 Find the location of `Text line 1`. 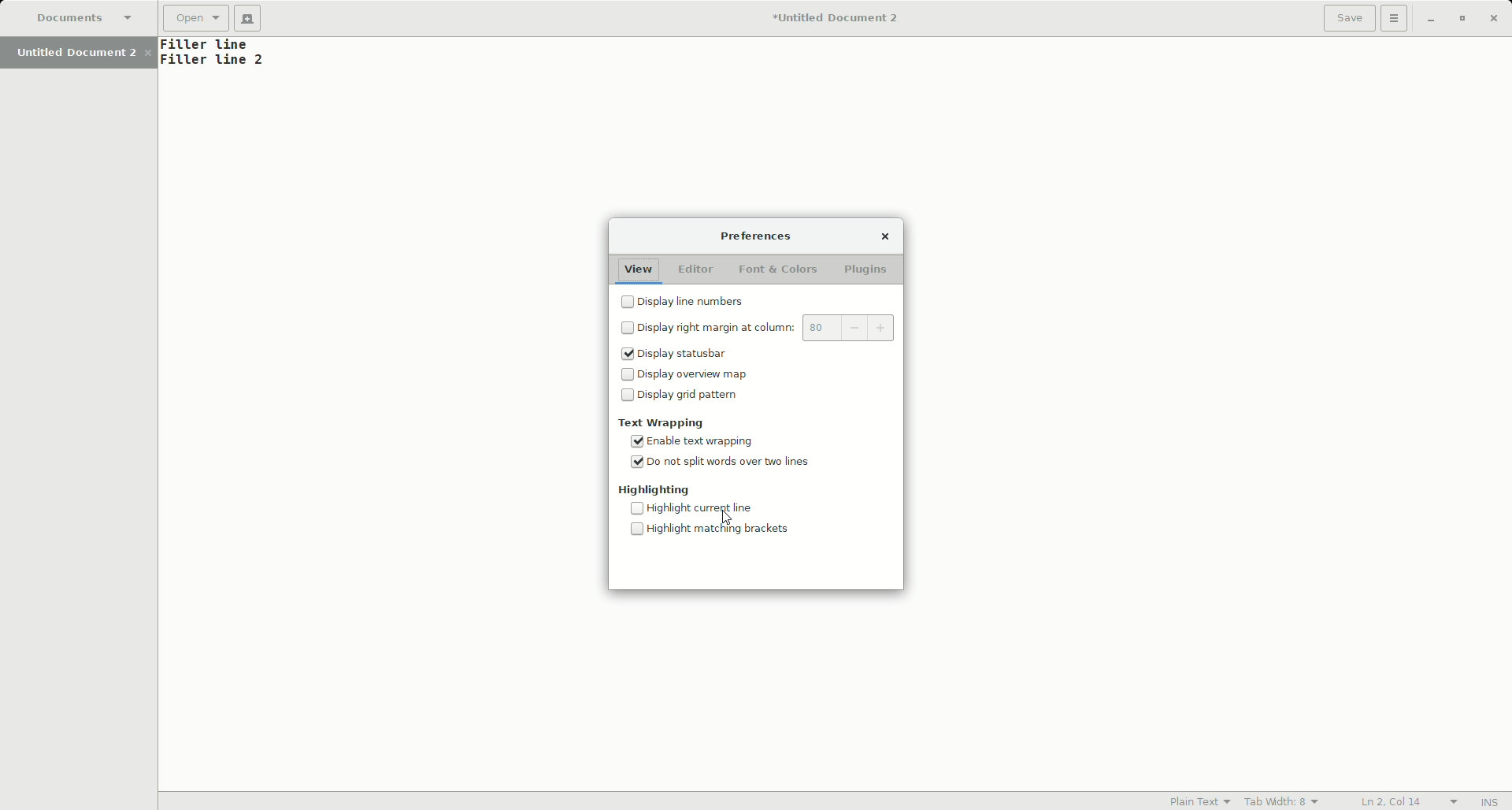

Text line 1 is located at coordinates (215, 45).